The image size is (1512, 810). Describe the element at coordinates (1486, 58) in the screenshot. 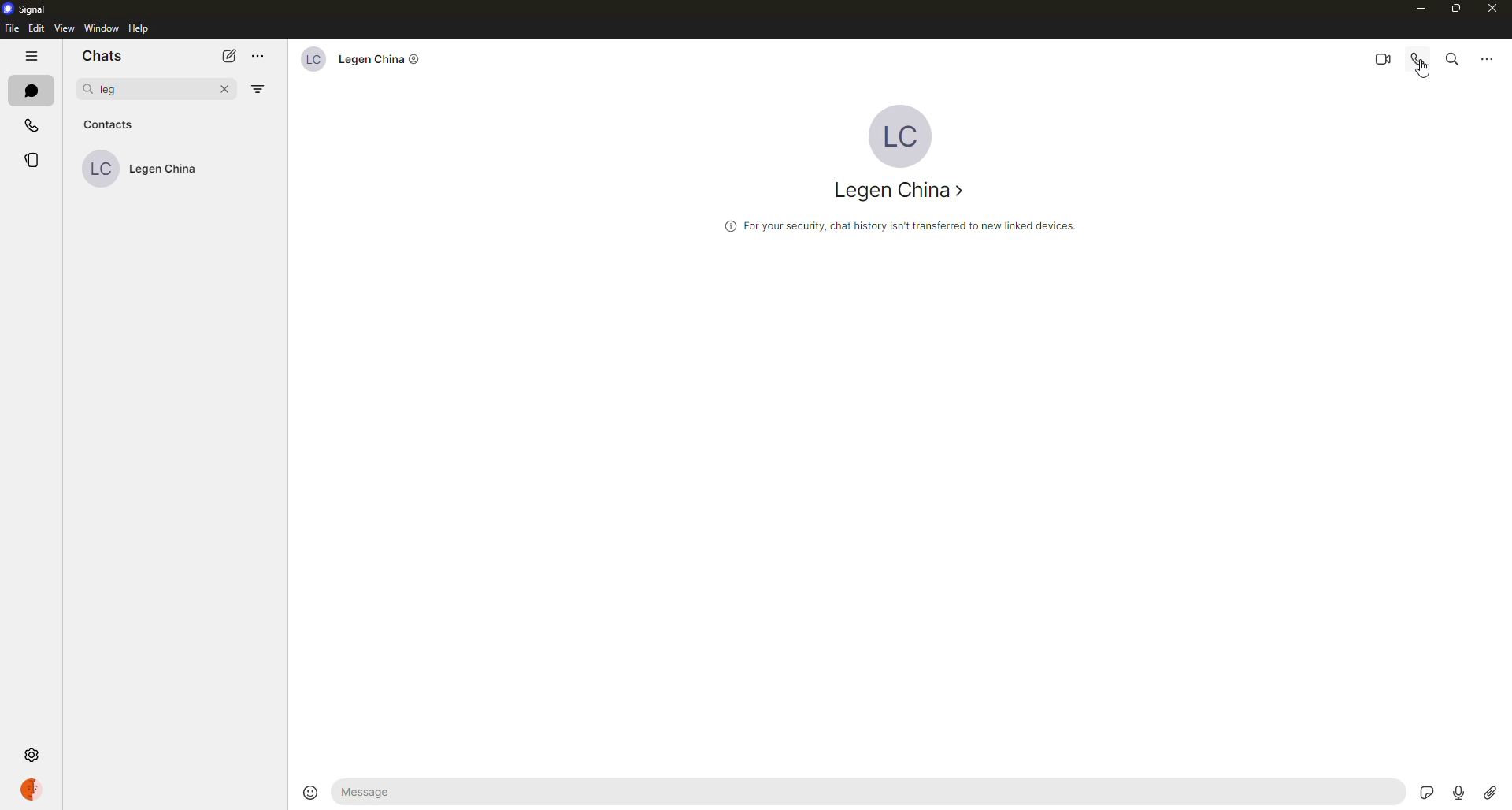

I see `more` at that location.